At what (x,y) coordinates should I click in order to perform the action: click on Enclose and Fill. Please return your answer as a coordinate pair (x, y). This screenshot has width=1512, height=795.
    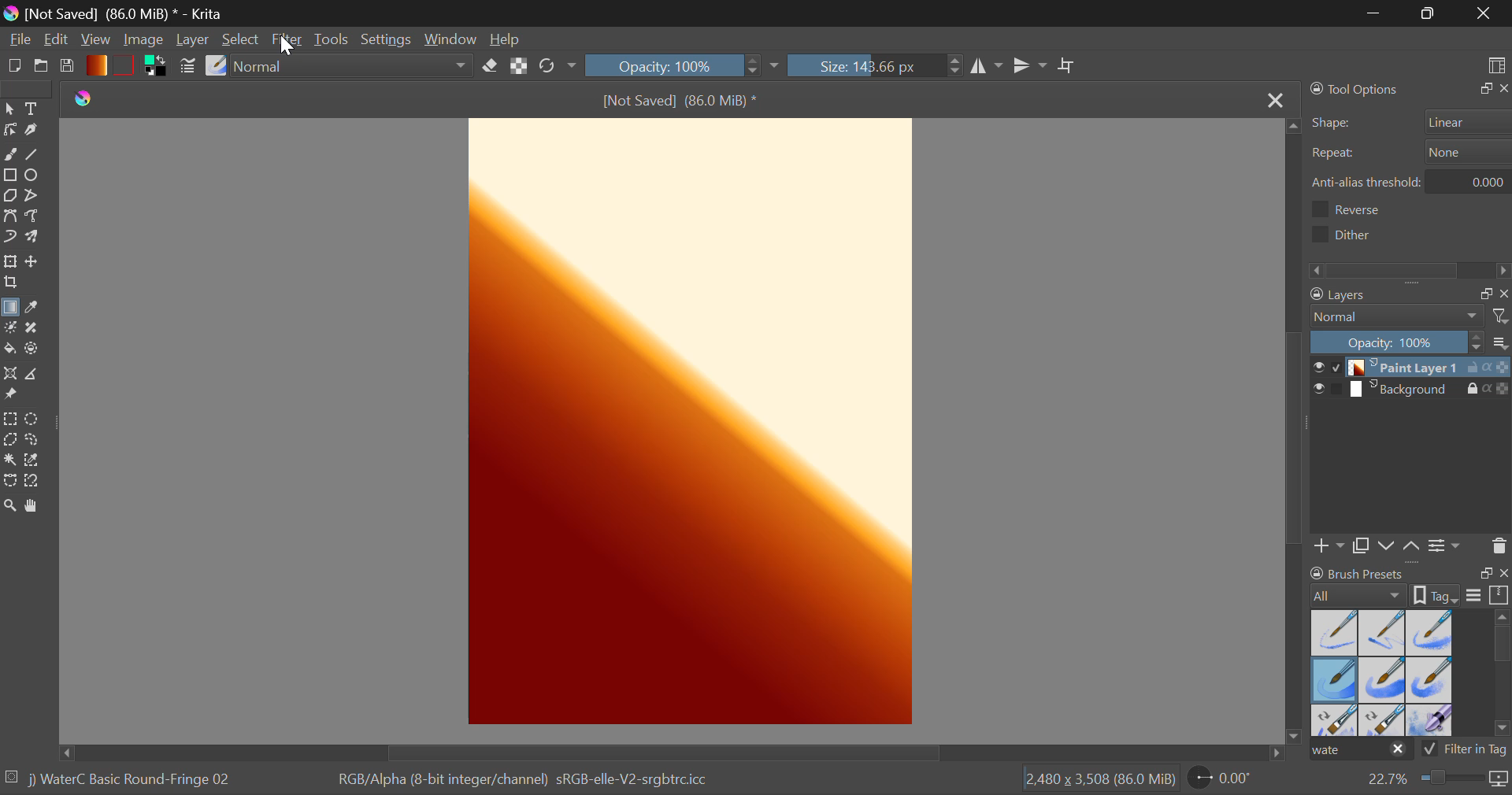
    Looking at the image, I should click on (36, 349).